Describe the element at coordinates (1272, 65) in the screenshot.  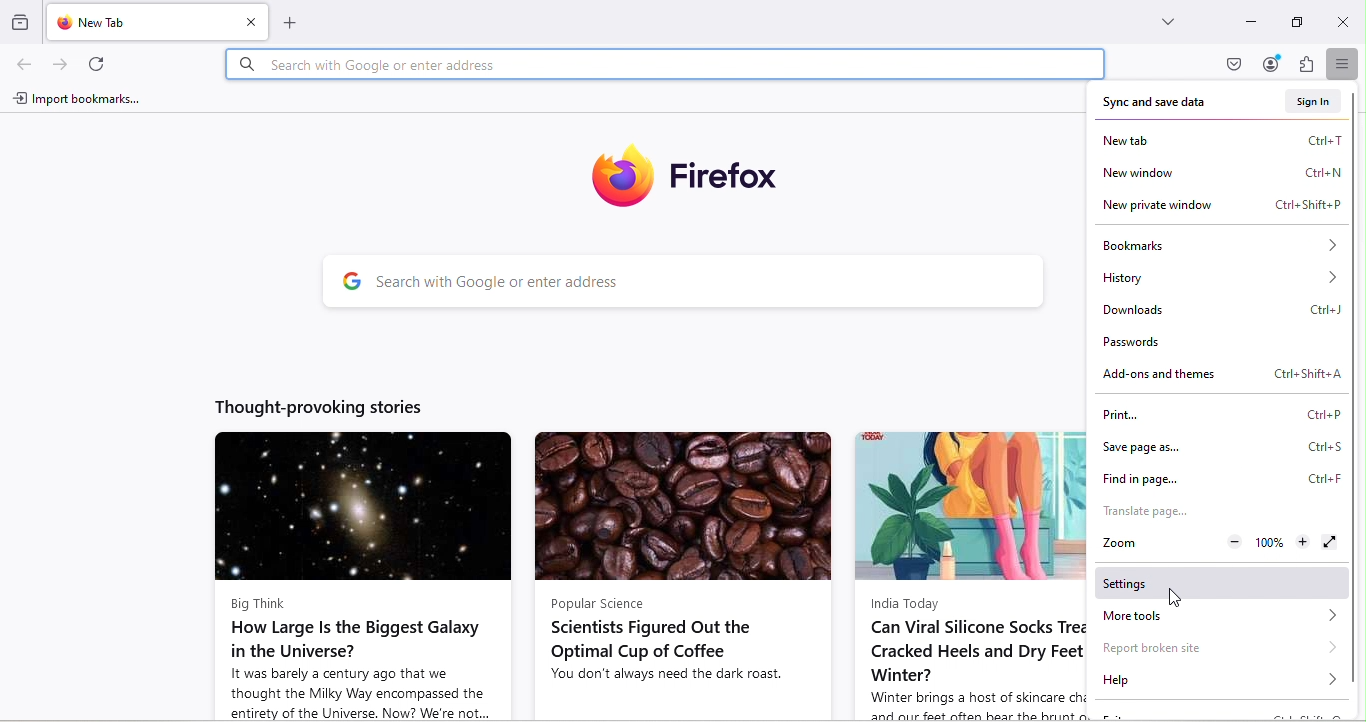
I see `Account` at that location.